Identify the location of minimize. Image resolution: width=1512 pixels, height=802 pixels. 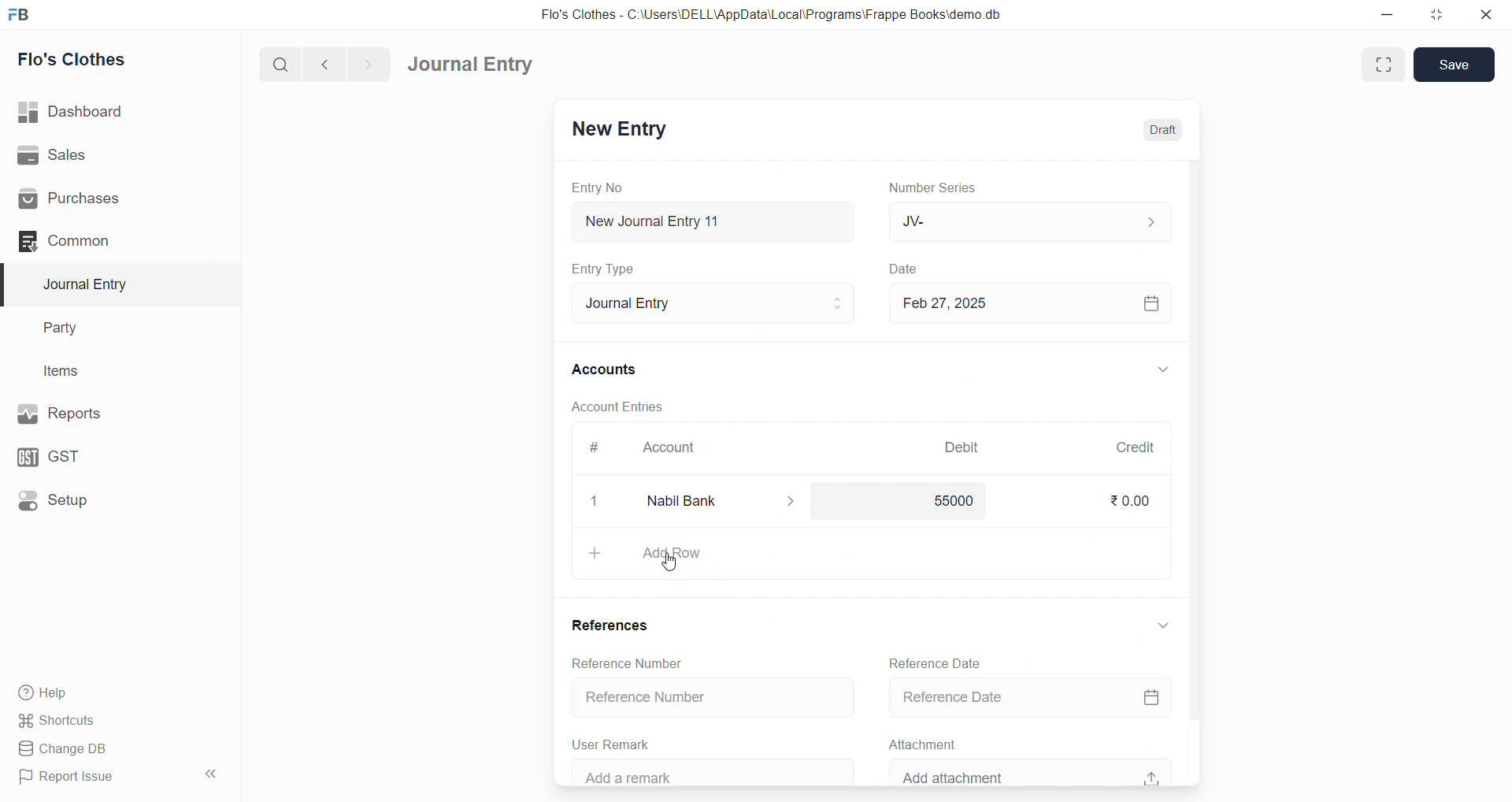
(1384, 13).